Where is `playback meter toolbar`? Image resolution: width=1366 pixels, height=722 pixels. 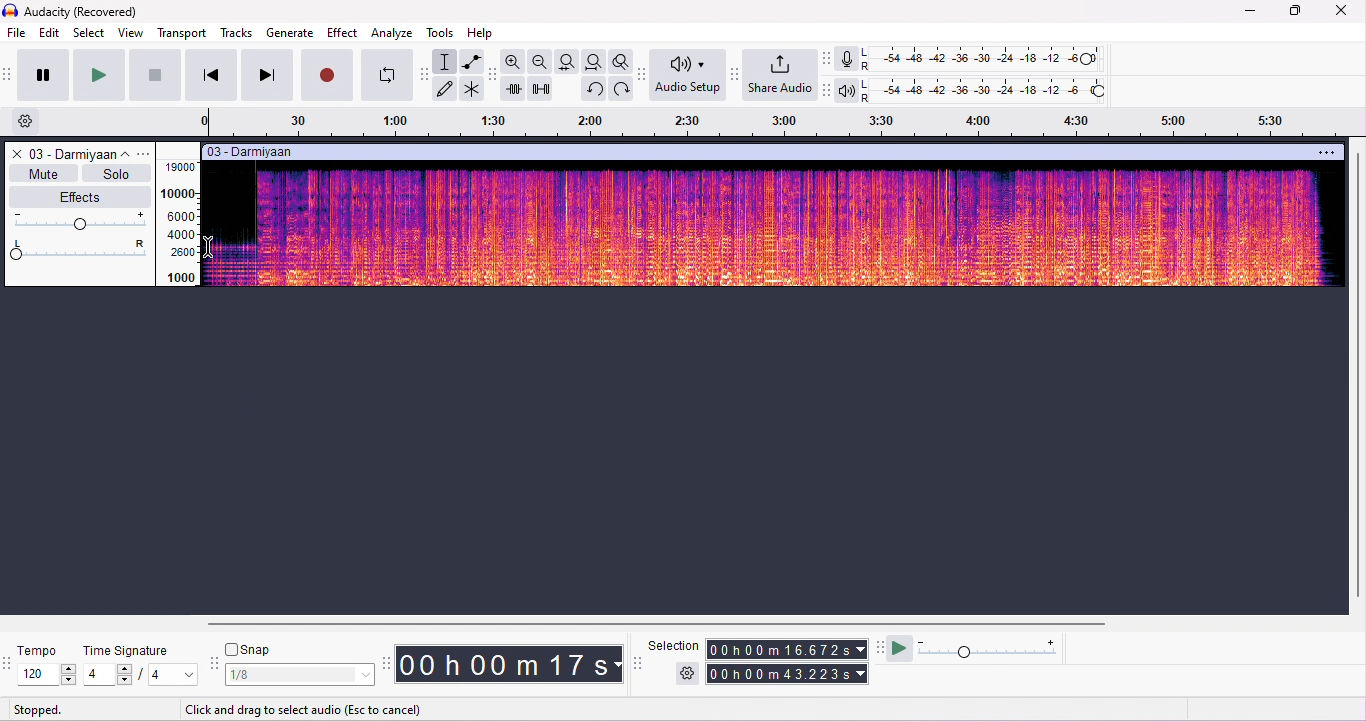 playback meter toolbar is located at coordinates (830, 90).